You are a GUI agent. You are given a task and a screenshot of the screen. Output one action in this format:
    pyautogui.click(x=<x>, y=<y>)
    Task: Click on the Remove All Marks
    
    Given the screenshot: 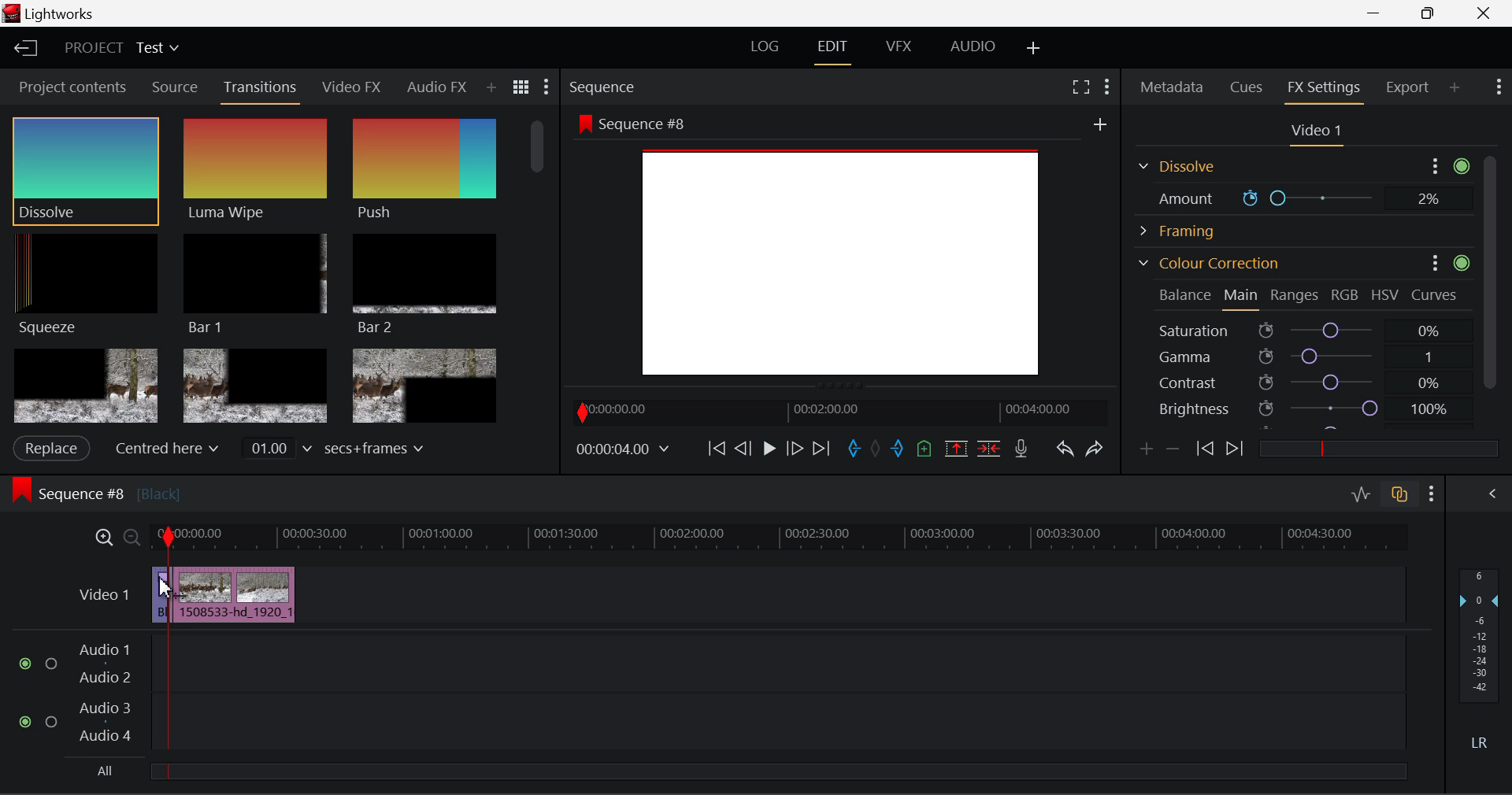 What is the action you would take?
    pyautogui.click(x=877, y=450)
    